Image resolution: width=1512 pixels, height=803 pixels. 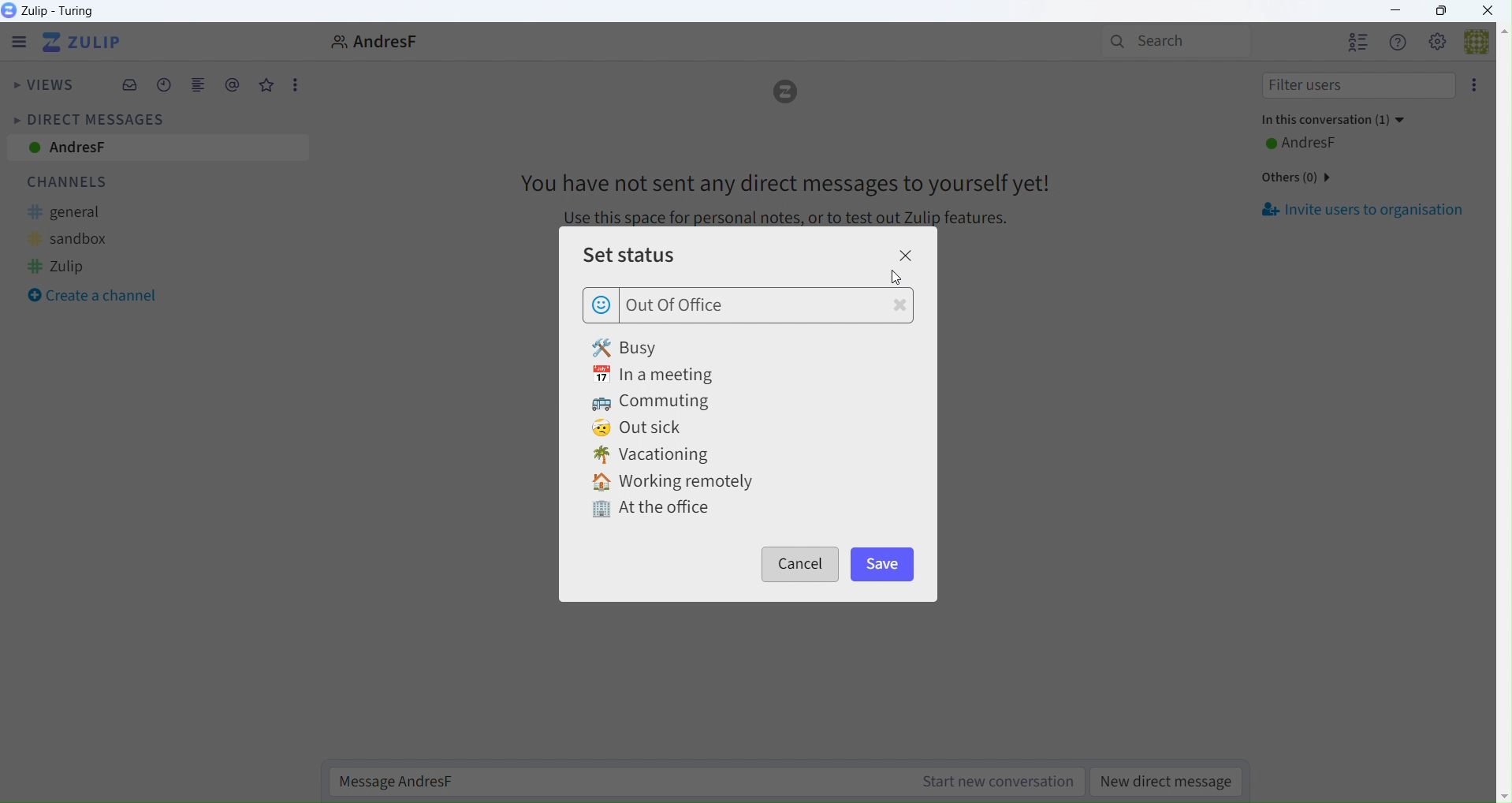 What do you see at coordinates (1171, 40) in the screenshot?
I see `Search` at bounding box center [1171, 40].